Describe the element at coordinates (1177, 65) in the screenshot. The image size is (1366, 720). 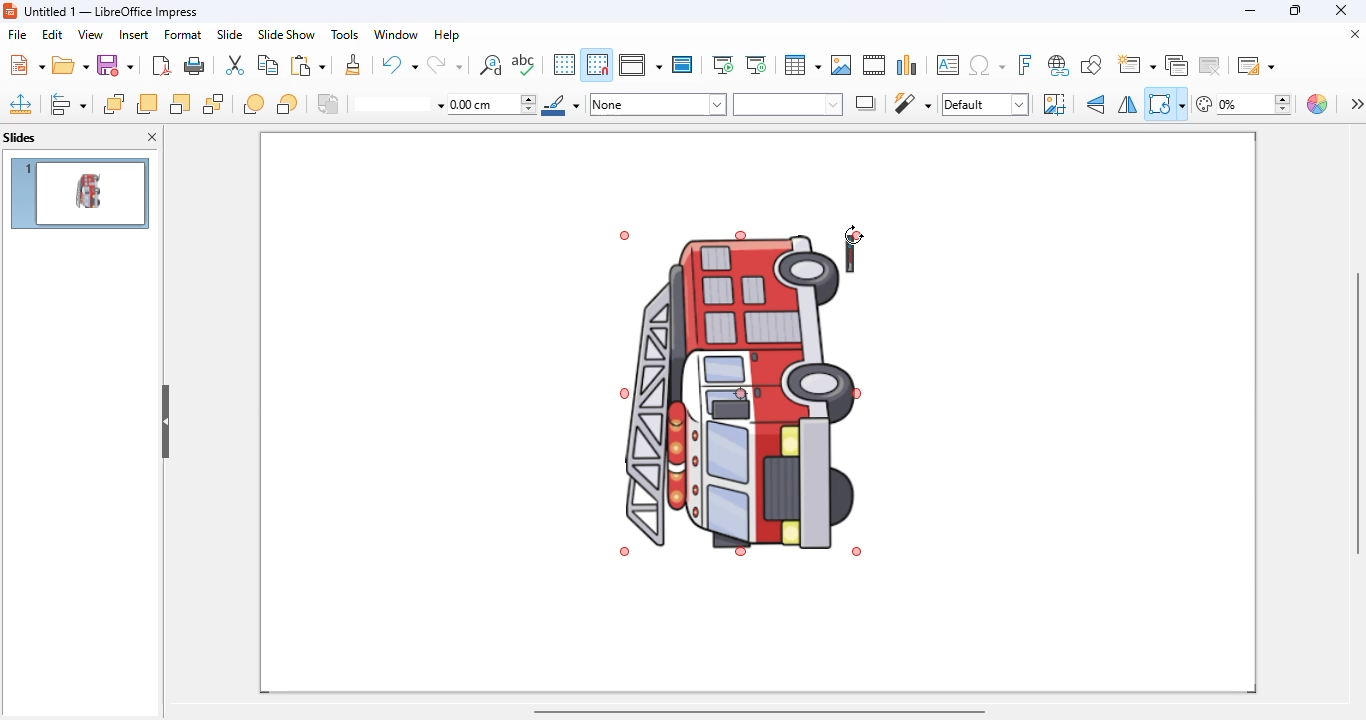
I see `duplicate slide` at that location.